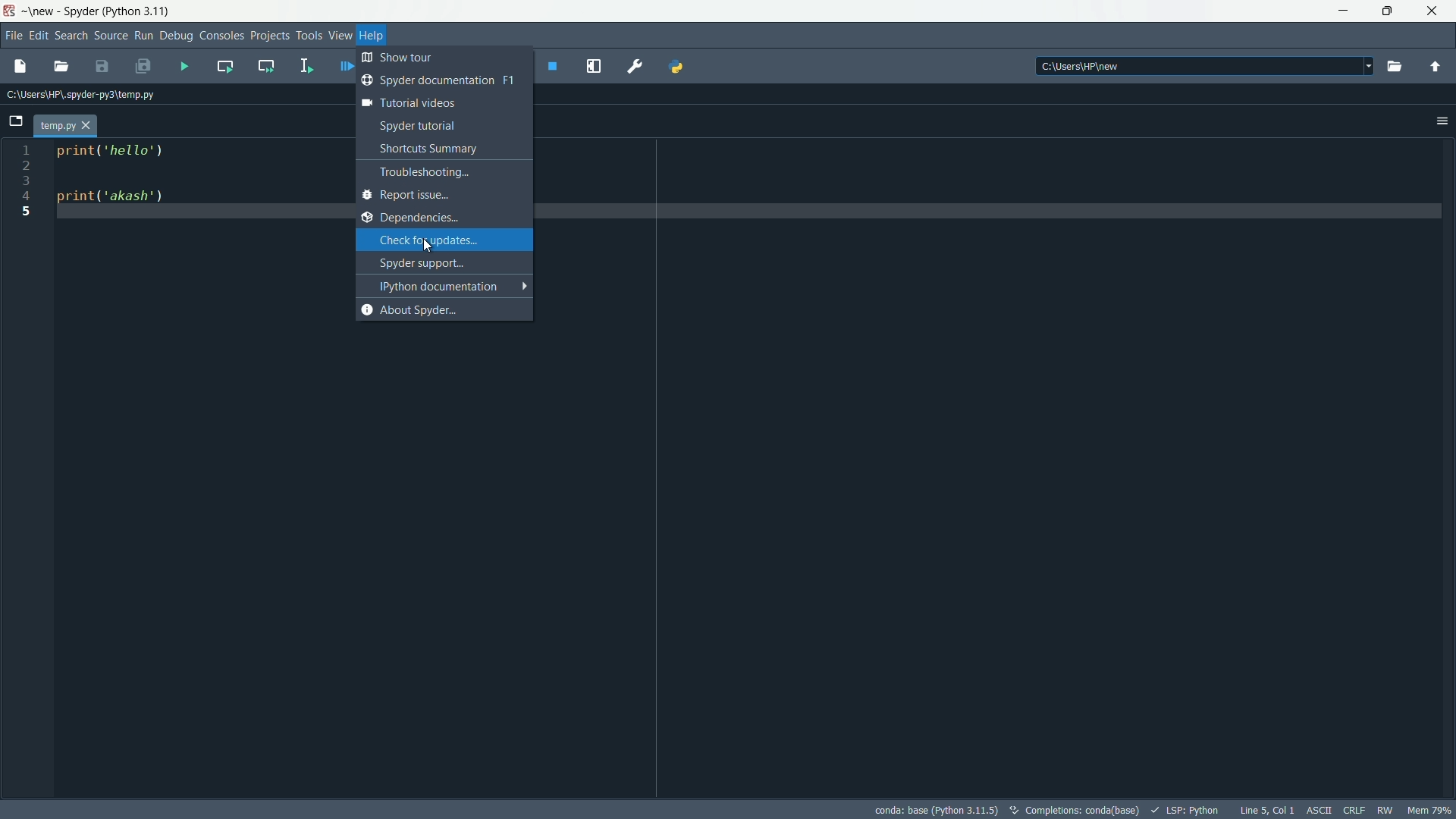 The width and height of the screenshot is (1456, 819). What do you see at coordinates (71, 35) in the screenshot?
I see `seach menu` at bounding box center [71, 35].